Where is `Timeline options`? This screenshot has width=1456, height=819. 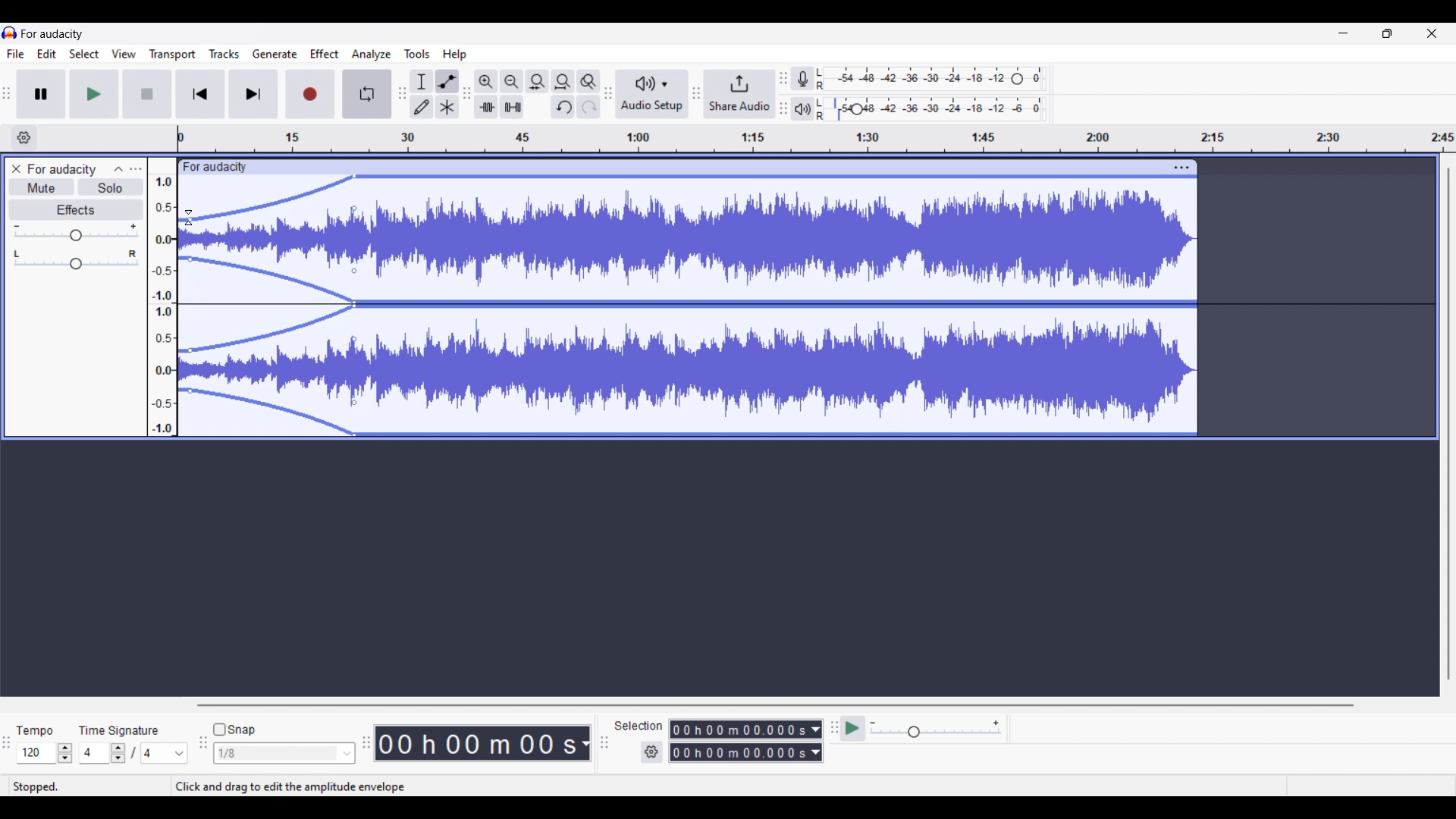 Timeline options is located at coordinates (25, 138).